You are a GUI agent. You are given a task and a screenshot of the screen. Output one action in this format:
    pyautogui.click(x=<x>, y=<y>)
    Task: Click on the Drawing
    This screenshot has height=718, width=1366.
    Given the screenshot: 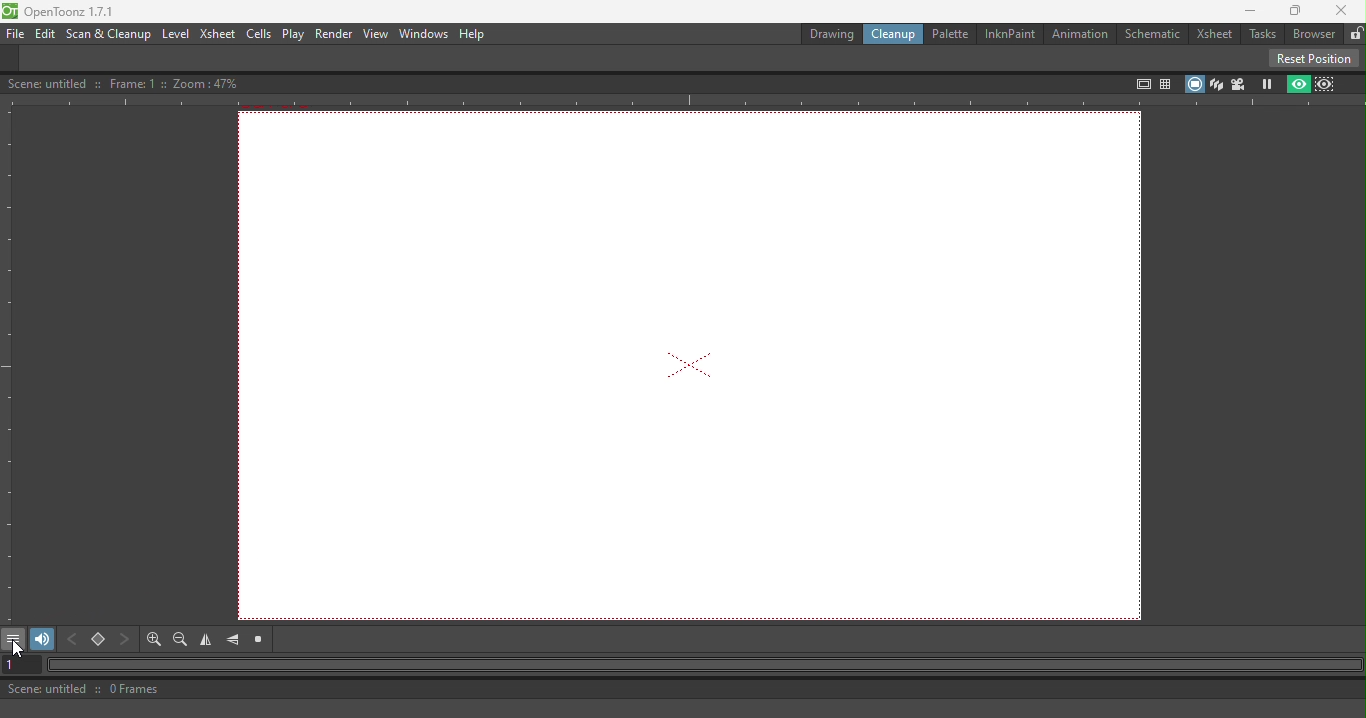 What is the action you would take?
    pyautogui.click(x=820, y=32)
    